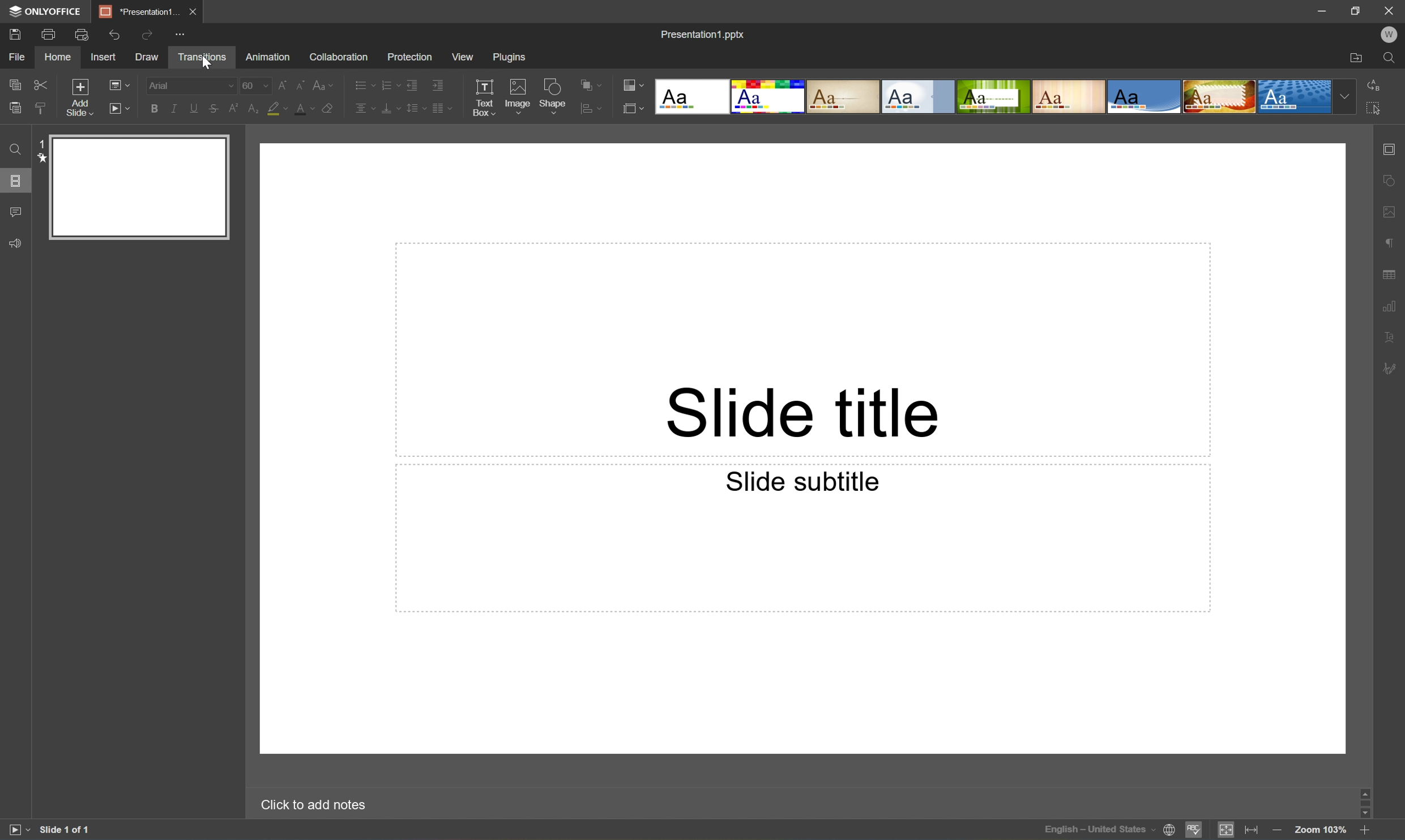 Image resolution: width=1405 pixels, height=840 pixels. I want to click on Start slideshow, so click(15, 830).